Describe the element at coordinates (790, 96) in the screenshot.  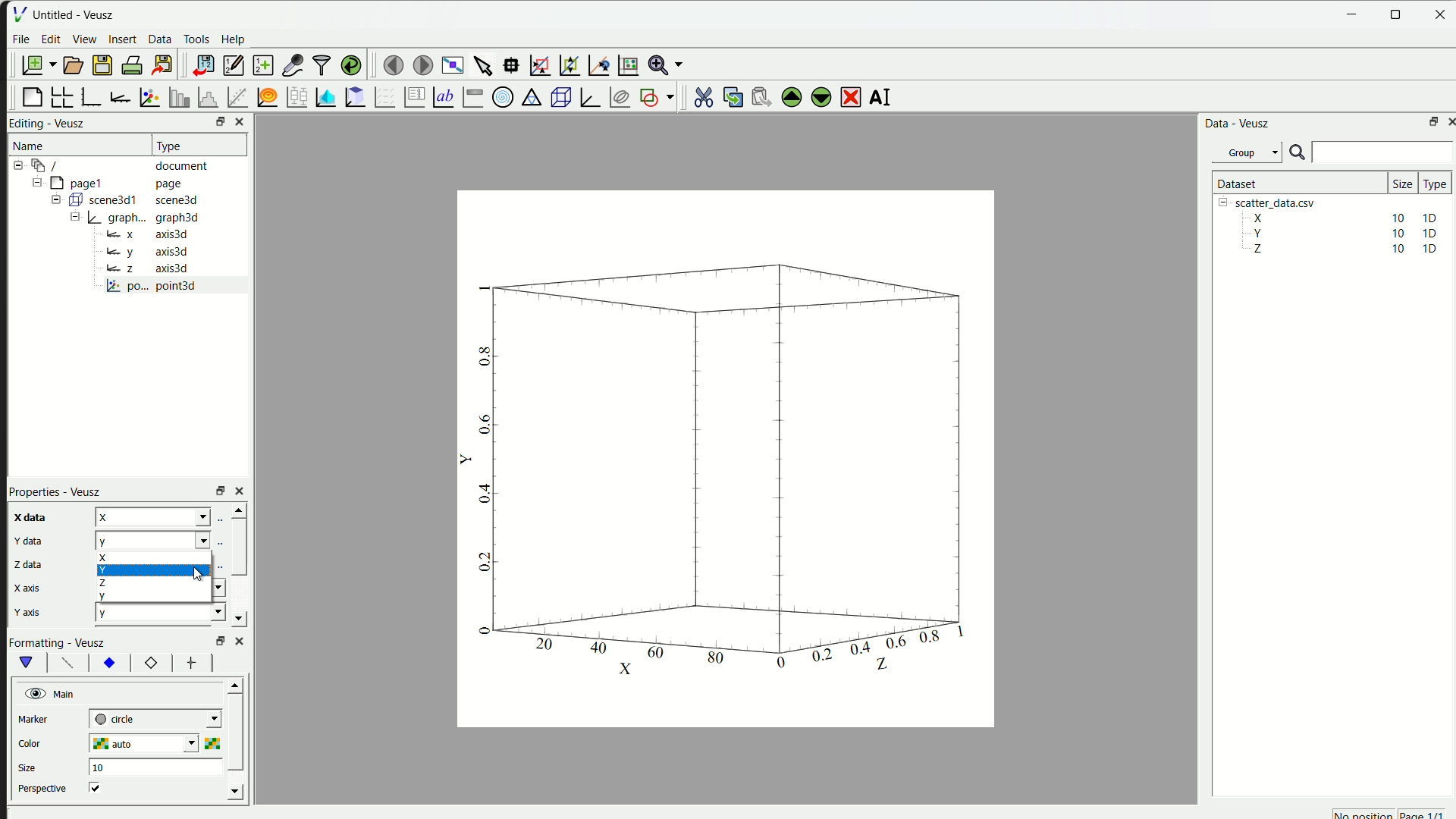
I see `move up the selected widget` at that location.